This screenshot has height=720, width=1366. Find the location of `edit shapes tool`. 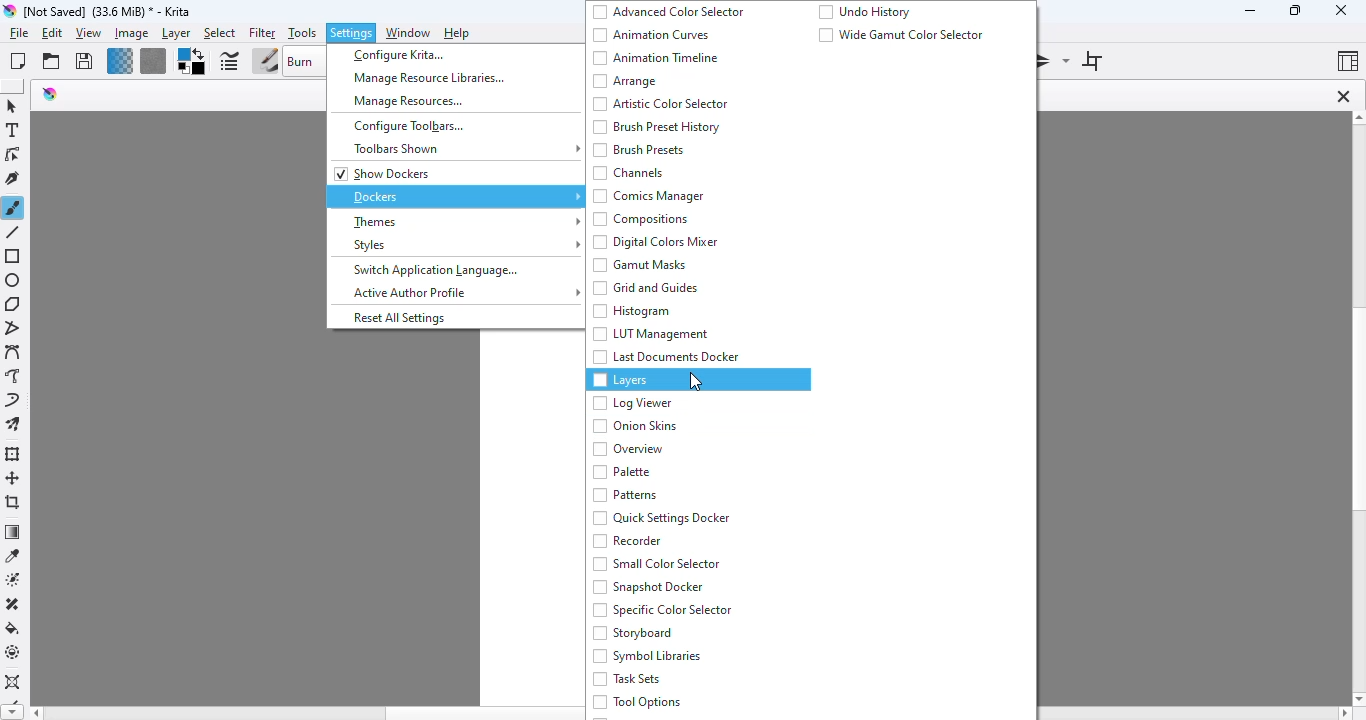

edit shapes tool is located at coordinates (12, 155).